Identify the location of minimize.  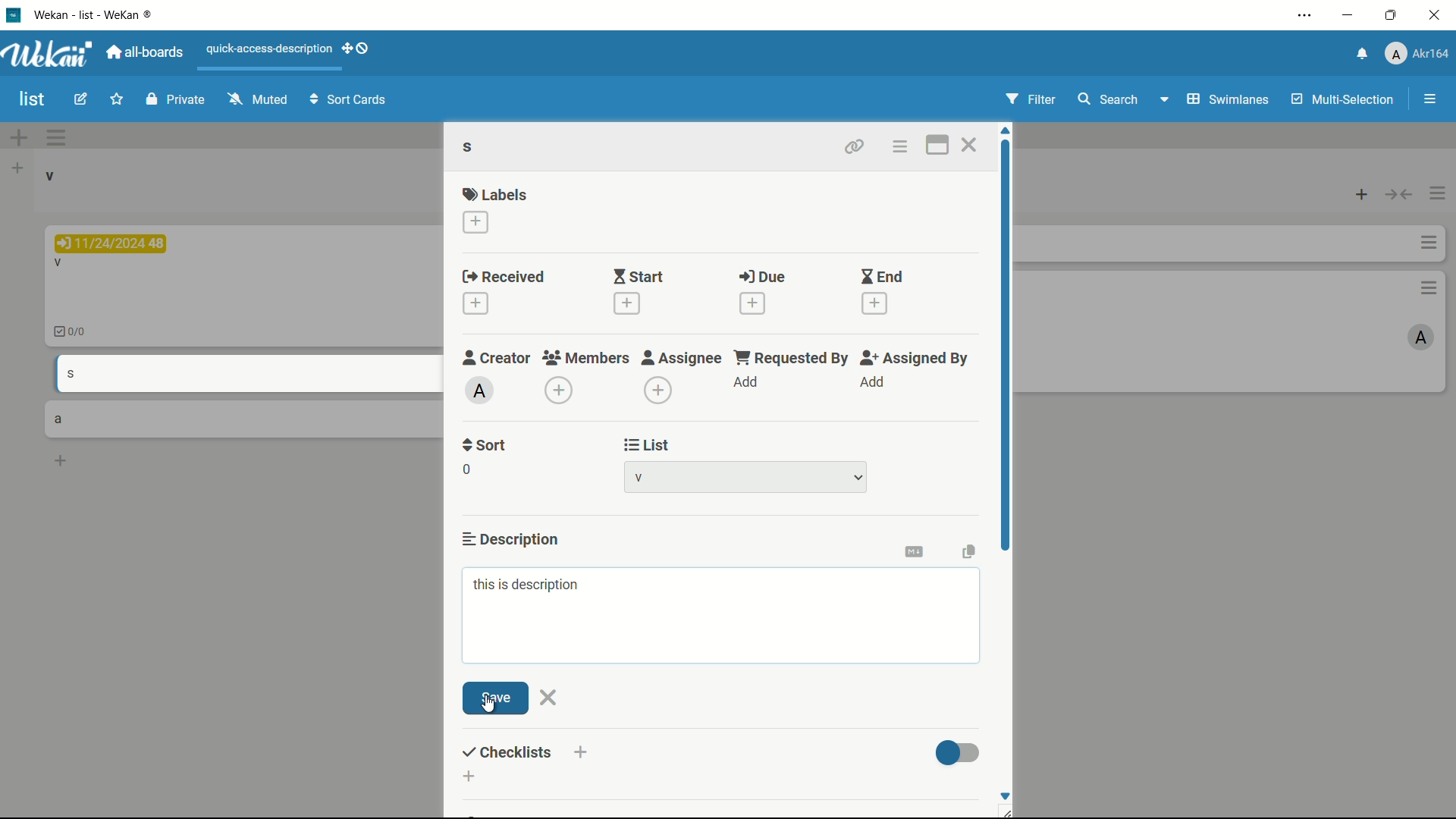
(1350, 15).